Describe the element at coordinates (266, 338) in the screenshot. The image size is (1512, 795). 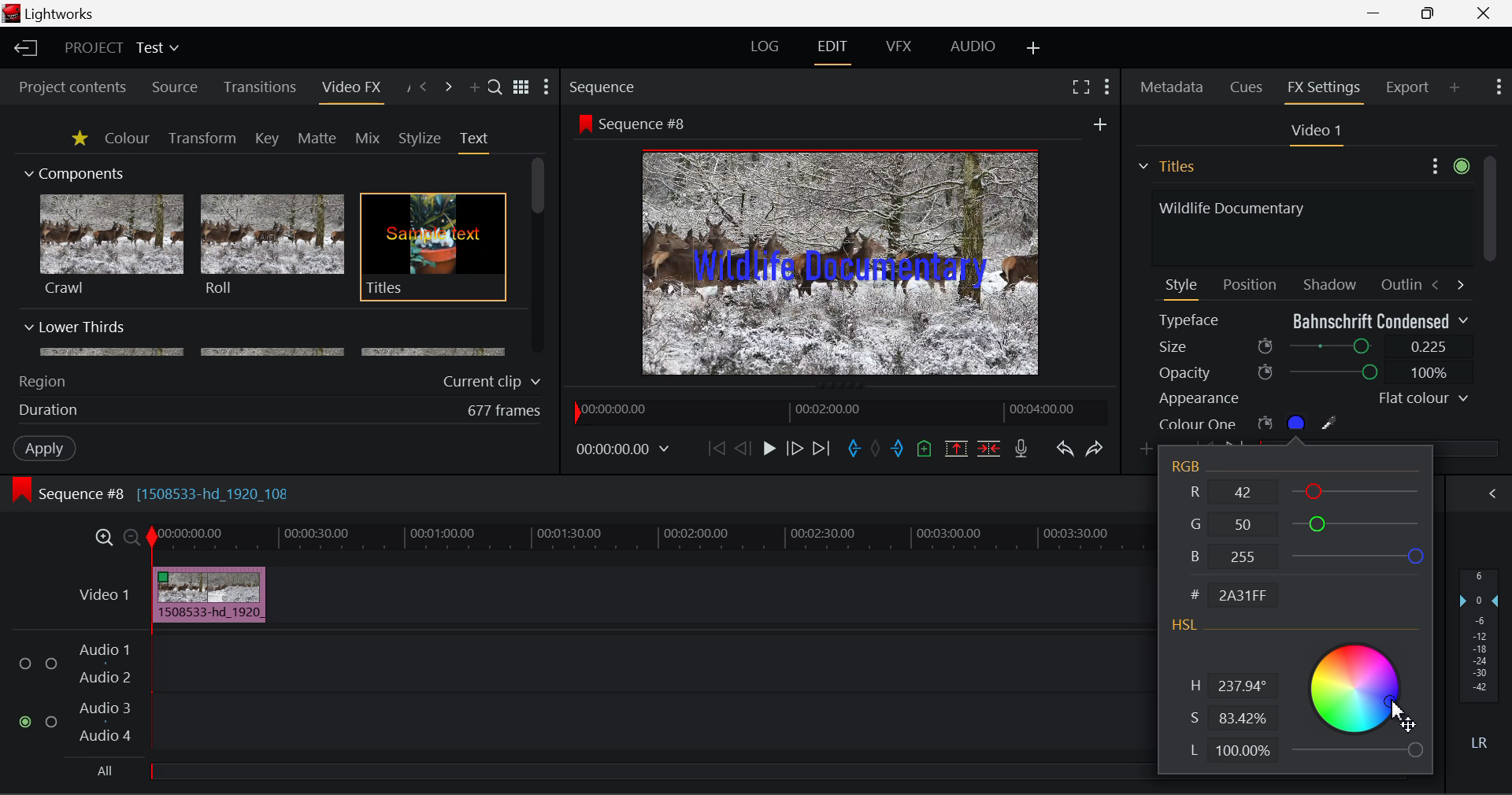
I see `Lower Thirds` at that location.